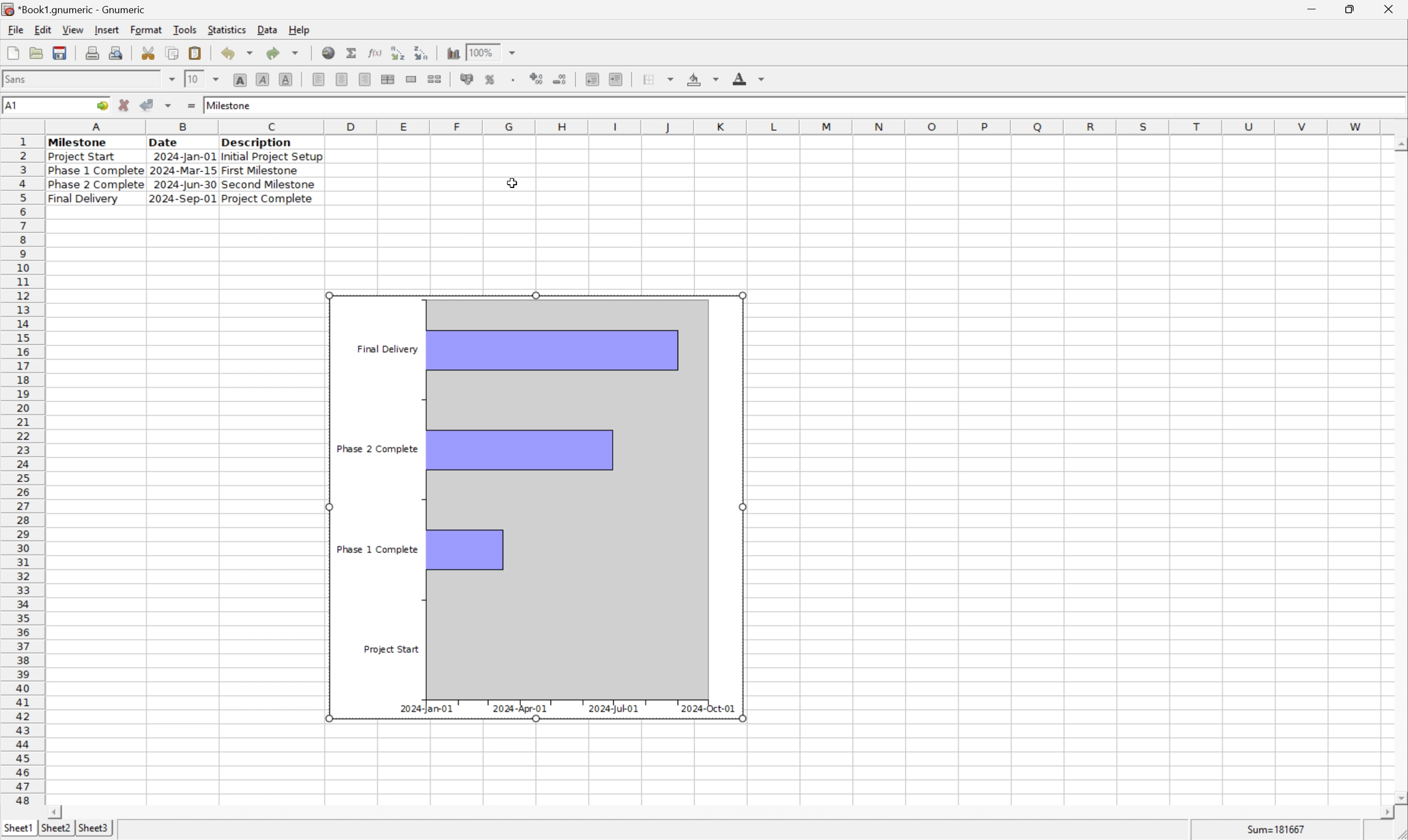 The height and width of the screenshot is (840, 1408). Describe the element at coordinates (516, 79) in the screenshot. I see `Set the format of the selected cells to include a thousands separator` at that location.